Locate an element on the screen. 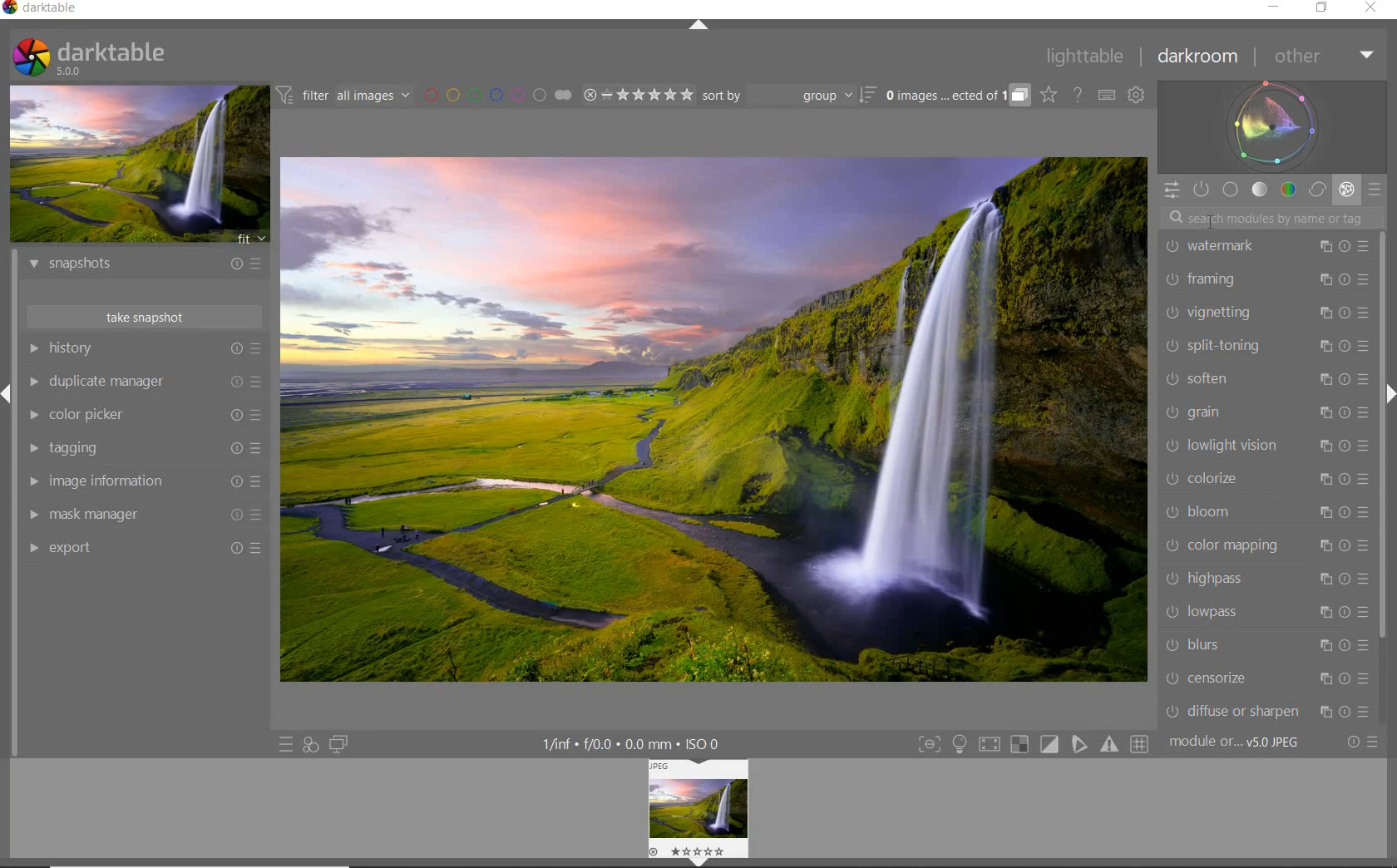 This screenshot has height=868, width=1397. SYSTEM LOGO is located at coordinates (90, 57).